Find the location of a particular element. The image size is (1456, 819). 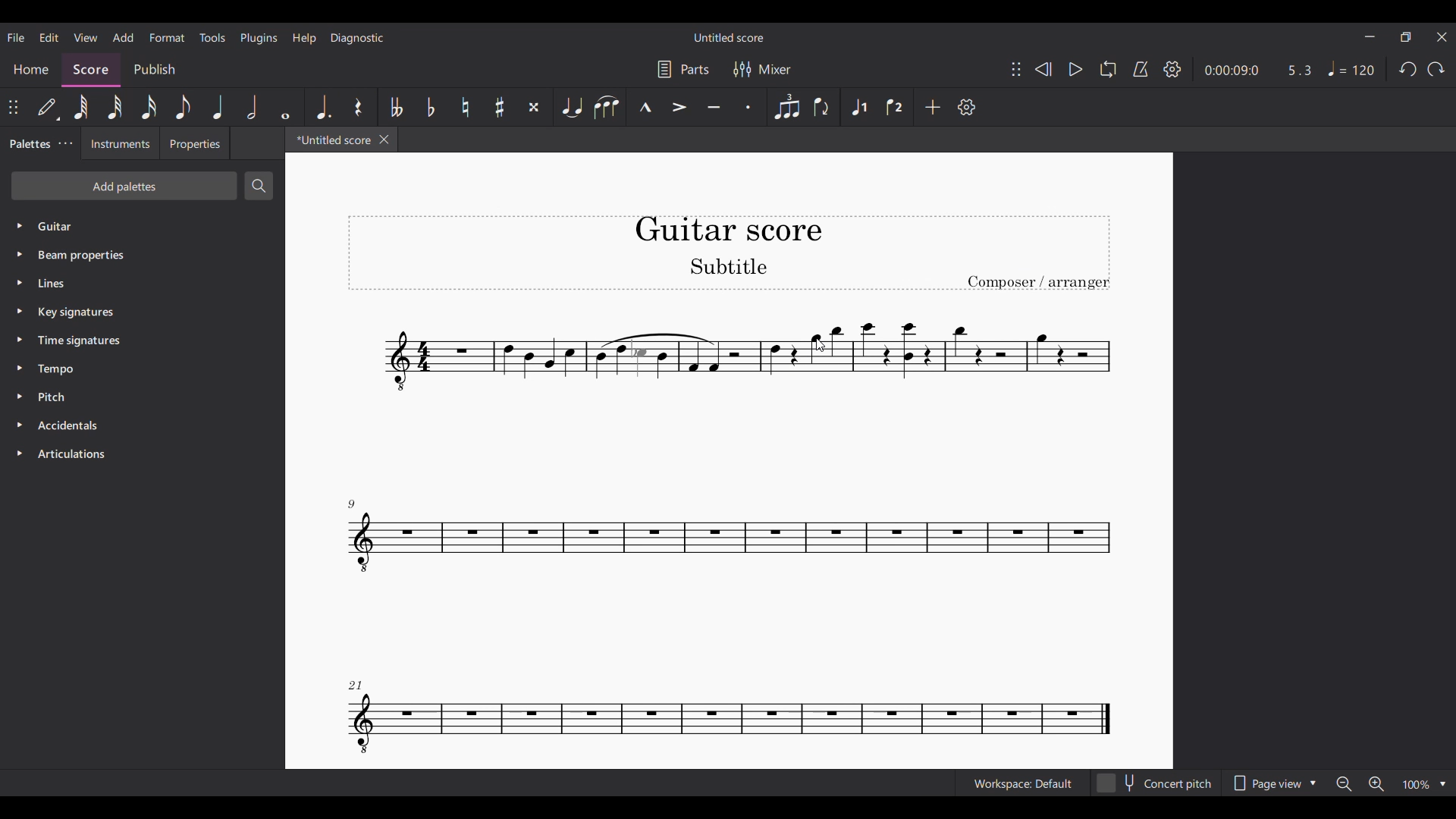

Click to expand pitch palette is located at coordinates (20, 397).